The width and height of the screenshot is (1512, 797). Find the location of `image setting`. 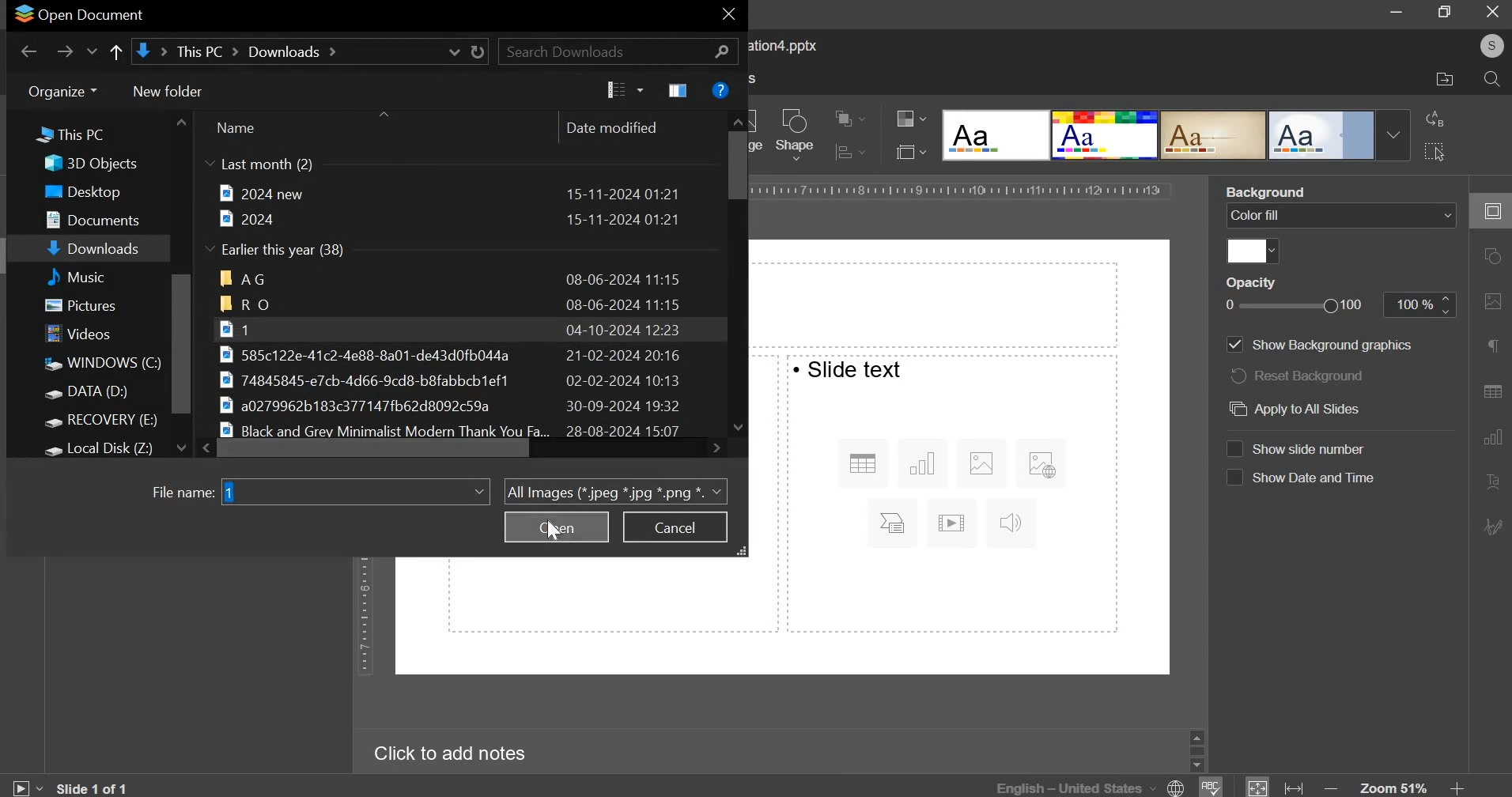

image setting is located at coordinates (1490, 301).